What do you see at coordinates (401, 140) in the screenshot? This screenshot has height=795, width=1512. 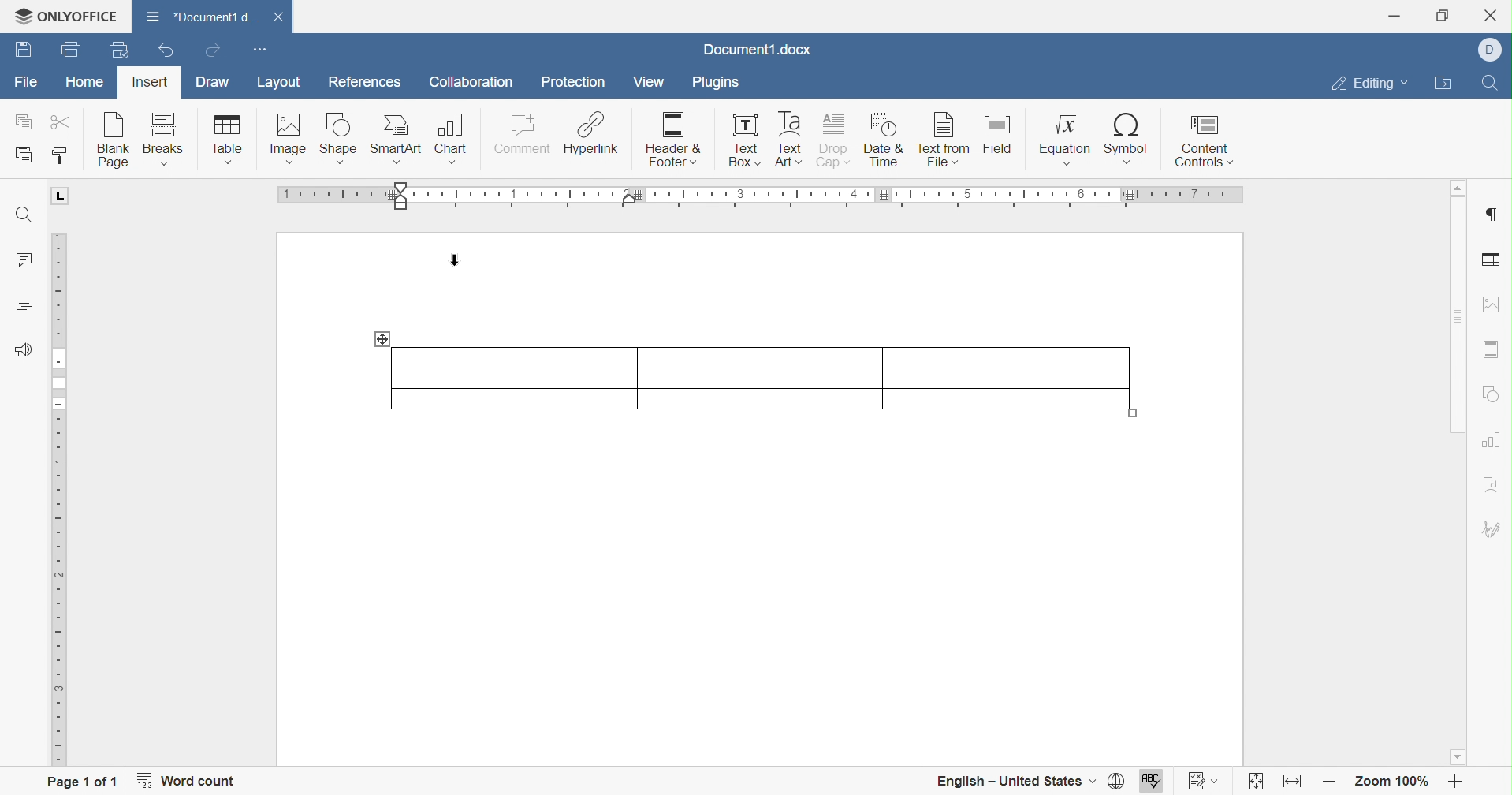 I see `Smart art` at bounding box center [401, 140].